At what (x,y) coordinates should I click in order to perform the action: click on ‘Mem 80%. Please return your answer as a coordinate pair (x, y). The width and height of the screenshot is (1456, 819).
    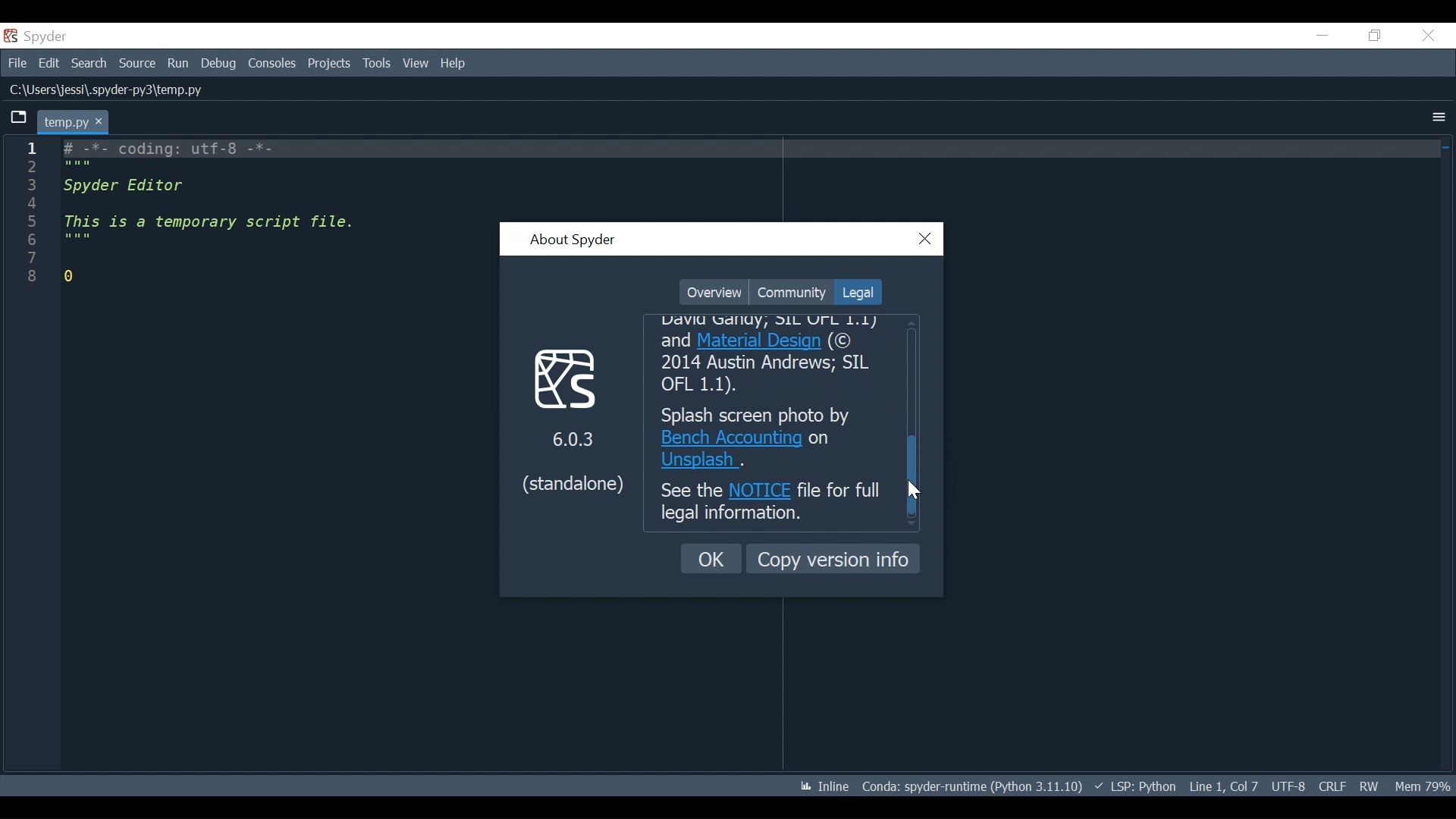
    Looking at the image, I should click on (1426, 786).